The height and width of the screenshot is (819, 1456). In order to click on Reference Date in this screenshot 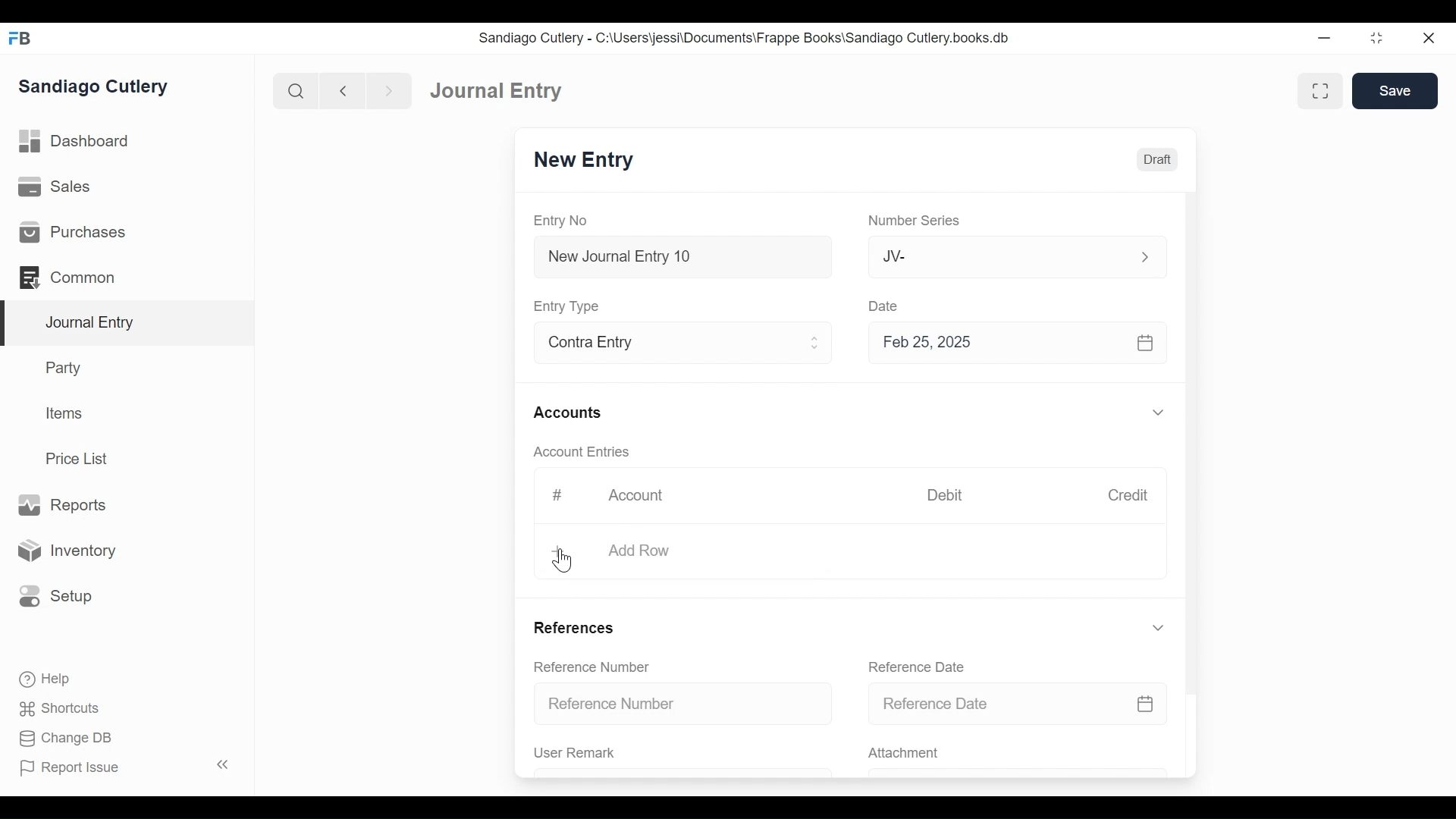, I will do `click(1018, 704)`.